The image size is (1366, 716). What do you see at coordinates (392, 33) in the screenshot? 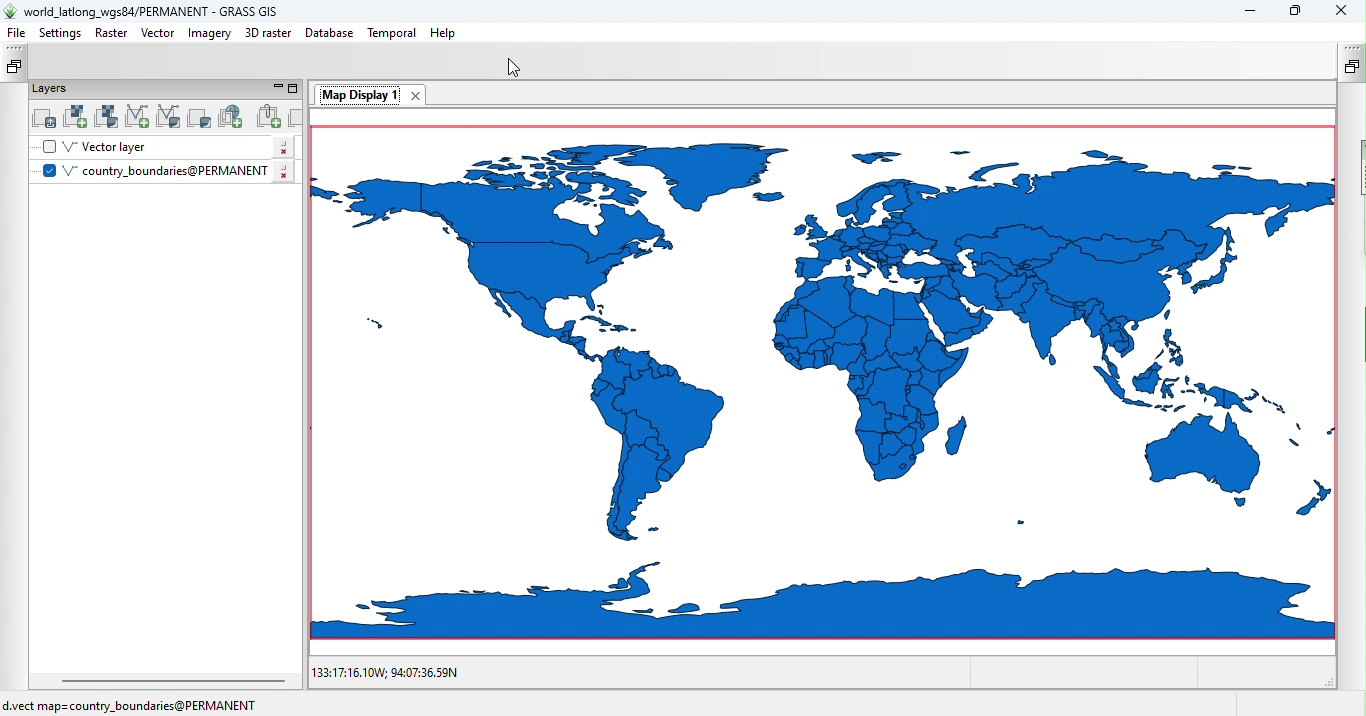
I see `Temporal` at bounding box center [392, 33].